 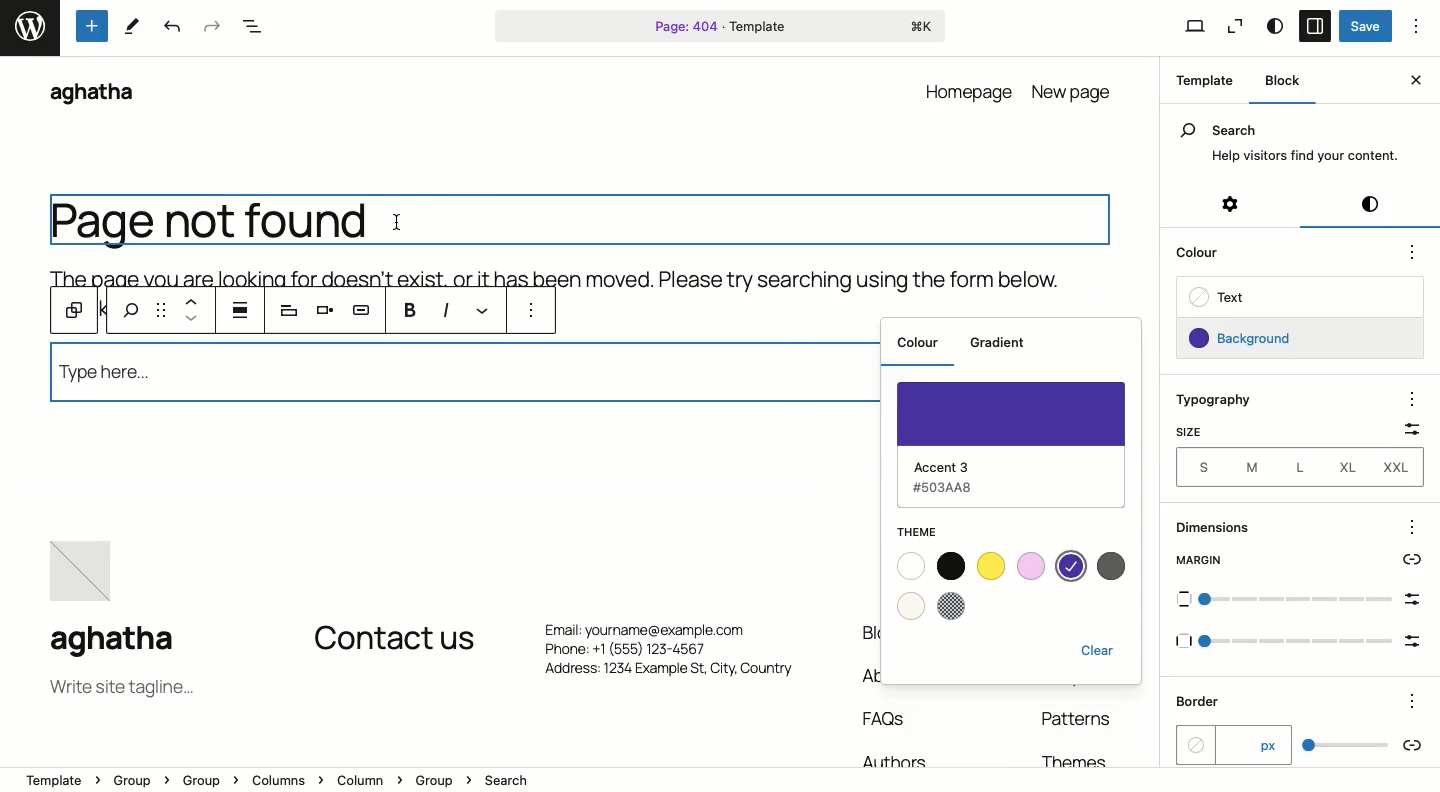 I want to click on Save, so click(x=1366, y=26).